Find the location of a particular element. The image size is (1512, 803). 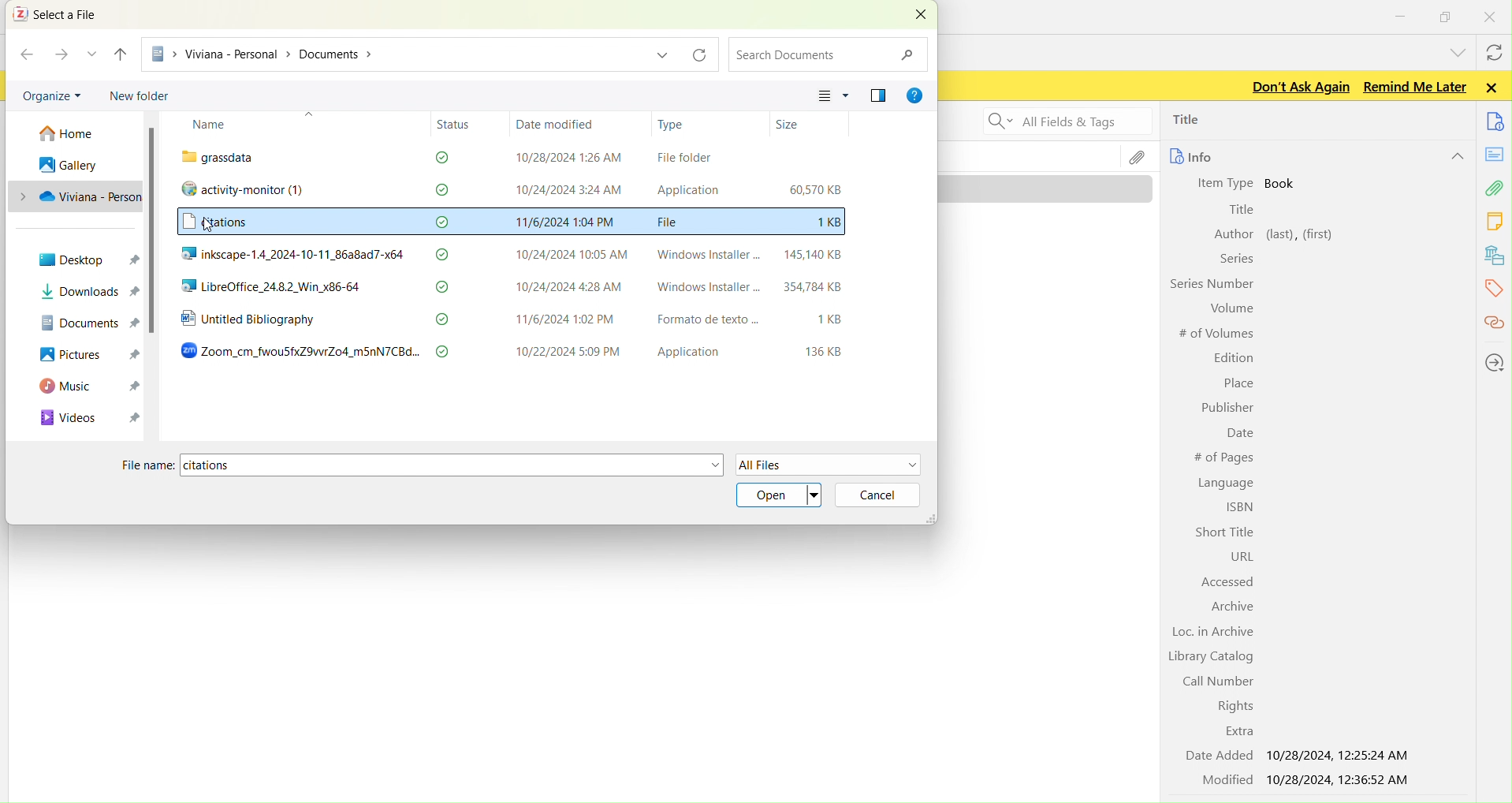

Windows Installer -  is located at coordinates (704, 254).